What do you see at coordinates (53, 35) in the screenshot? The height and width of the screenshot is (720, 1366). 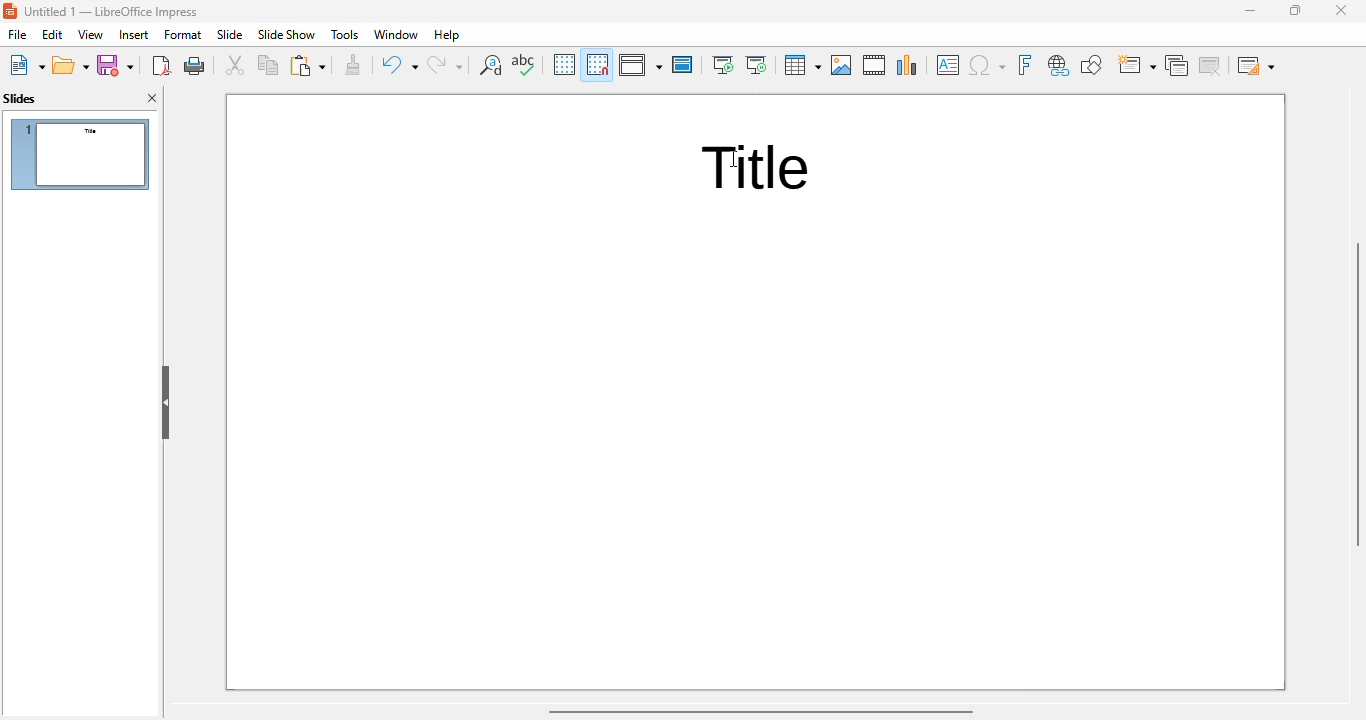 I see `edit` at bounding box center [53, 35].